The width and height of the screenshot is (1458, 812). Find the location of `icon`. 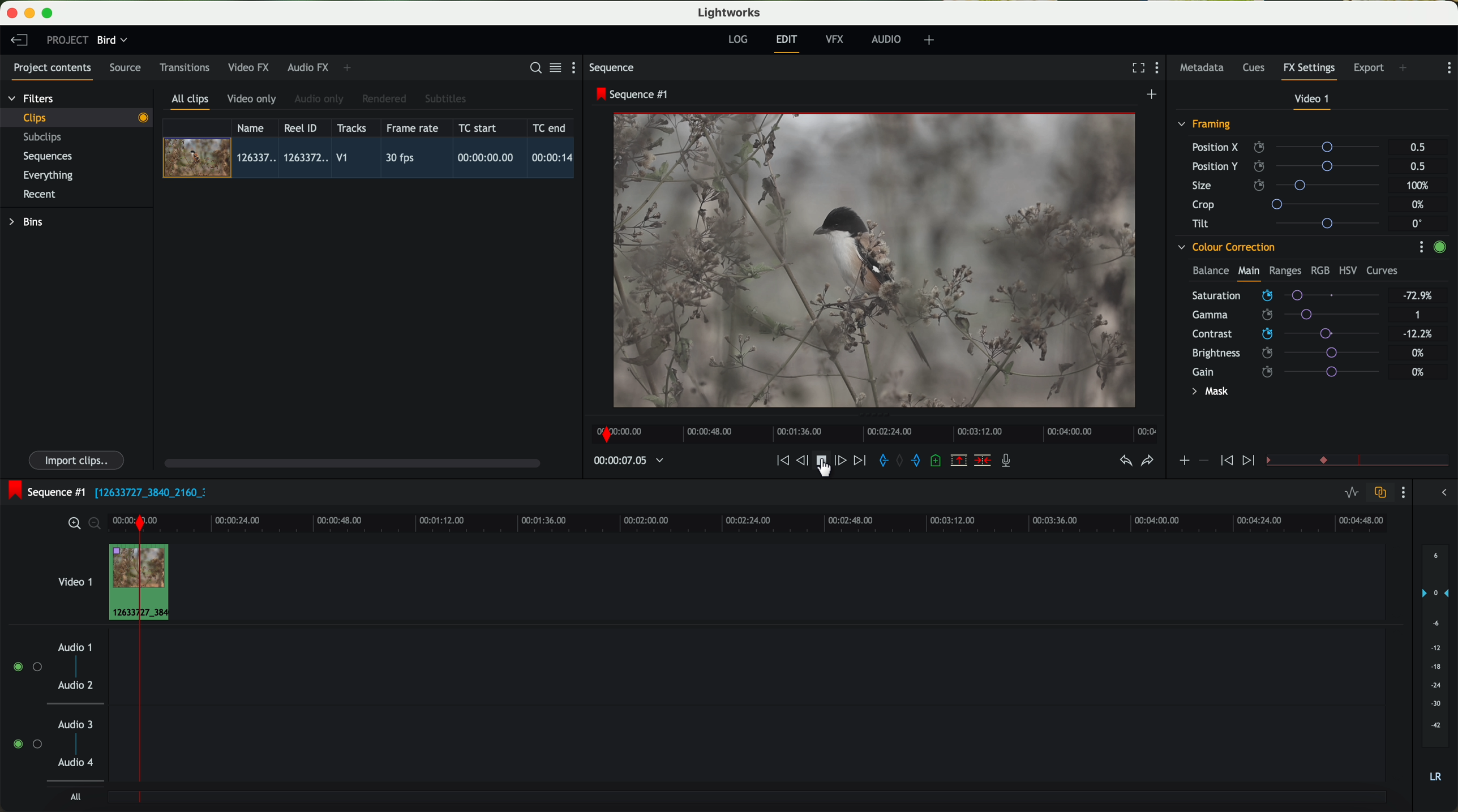

icon is located at coordinates (1225, 461).